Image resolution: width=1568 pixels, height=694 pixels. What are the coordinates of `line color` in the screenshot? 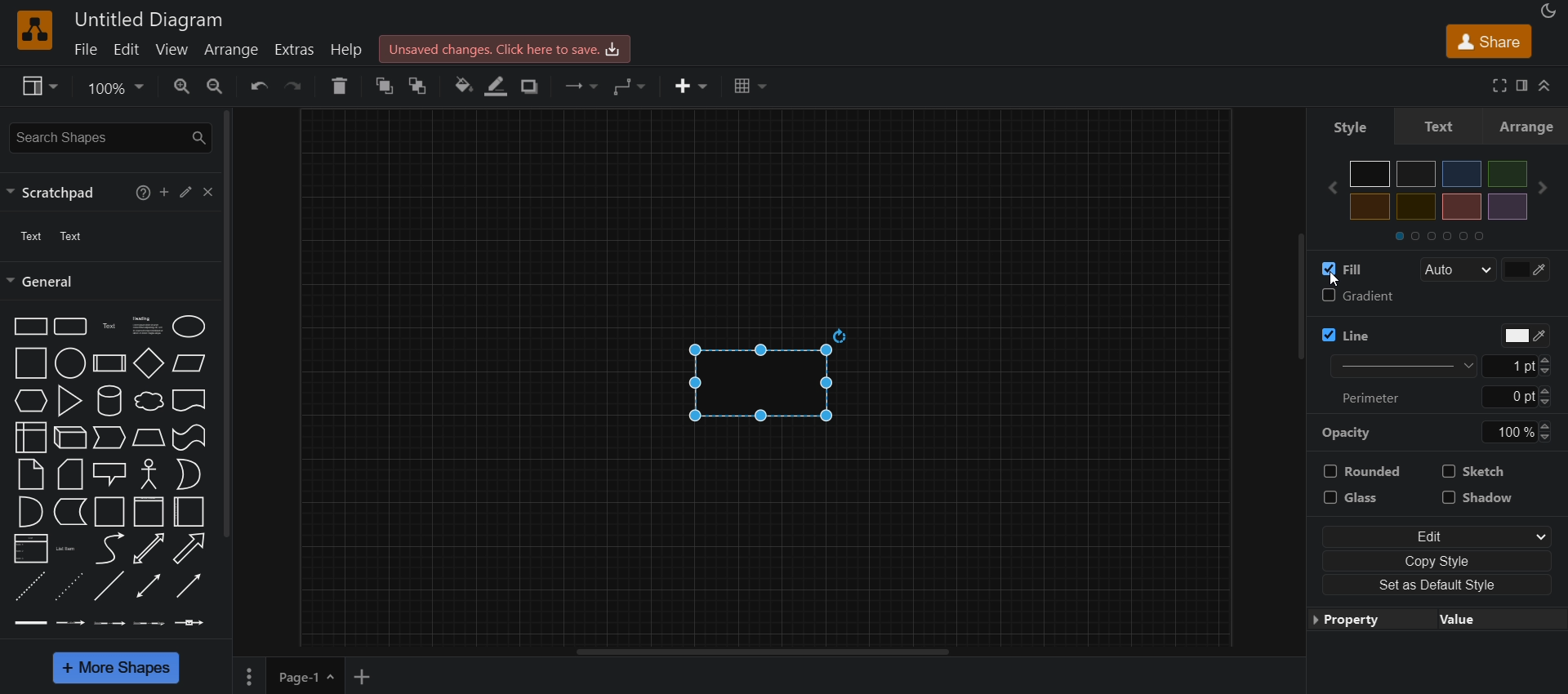 It's located at (496, 87).